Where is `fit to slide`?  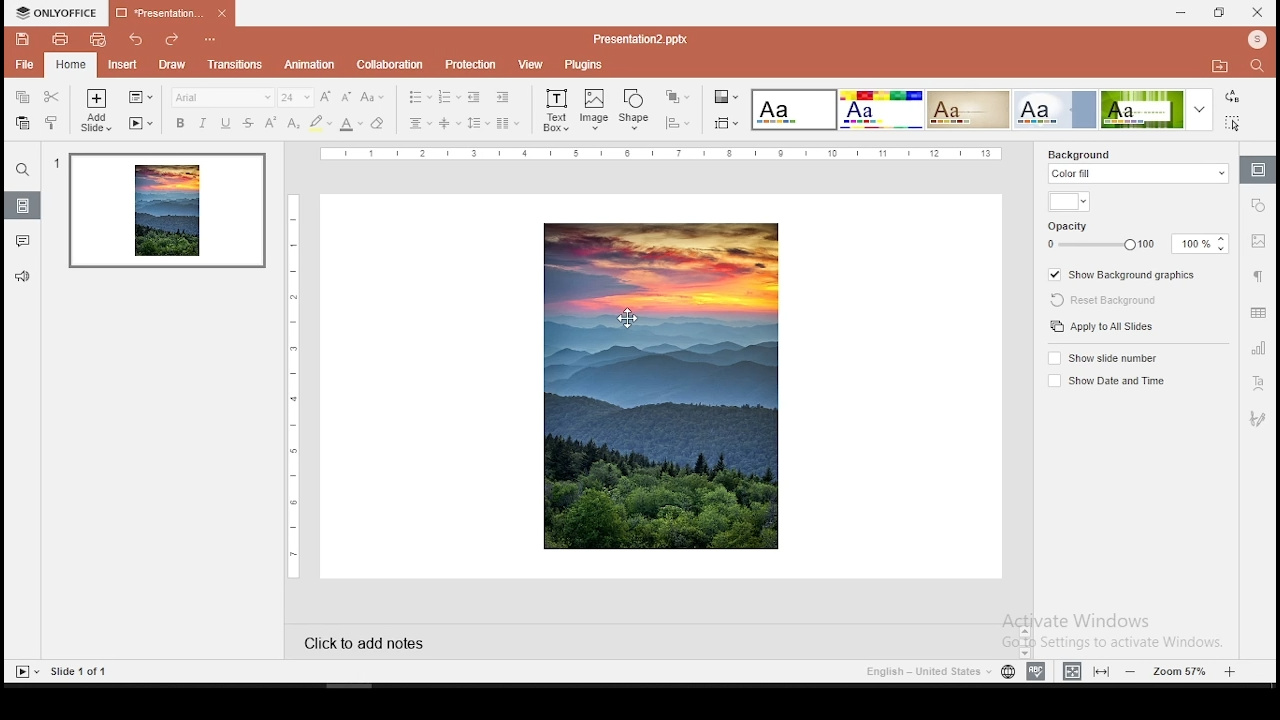 fit to slide is located at coordinates (1101, 672).